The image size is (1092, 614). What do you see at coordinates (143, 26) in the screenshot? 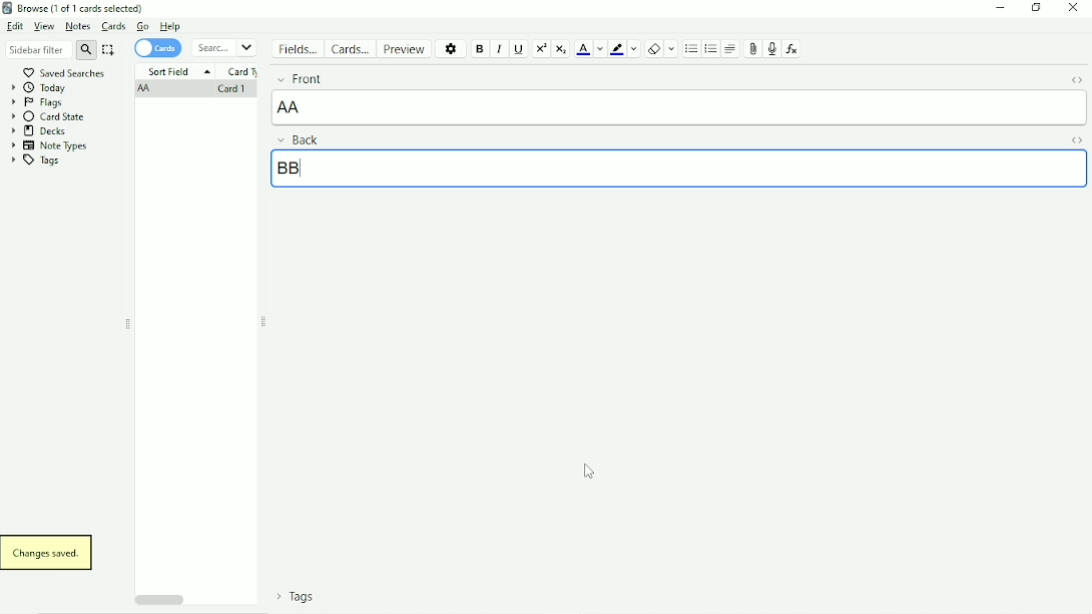
I see `Go` at bounding box center [143, 26].